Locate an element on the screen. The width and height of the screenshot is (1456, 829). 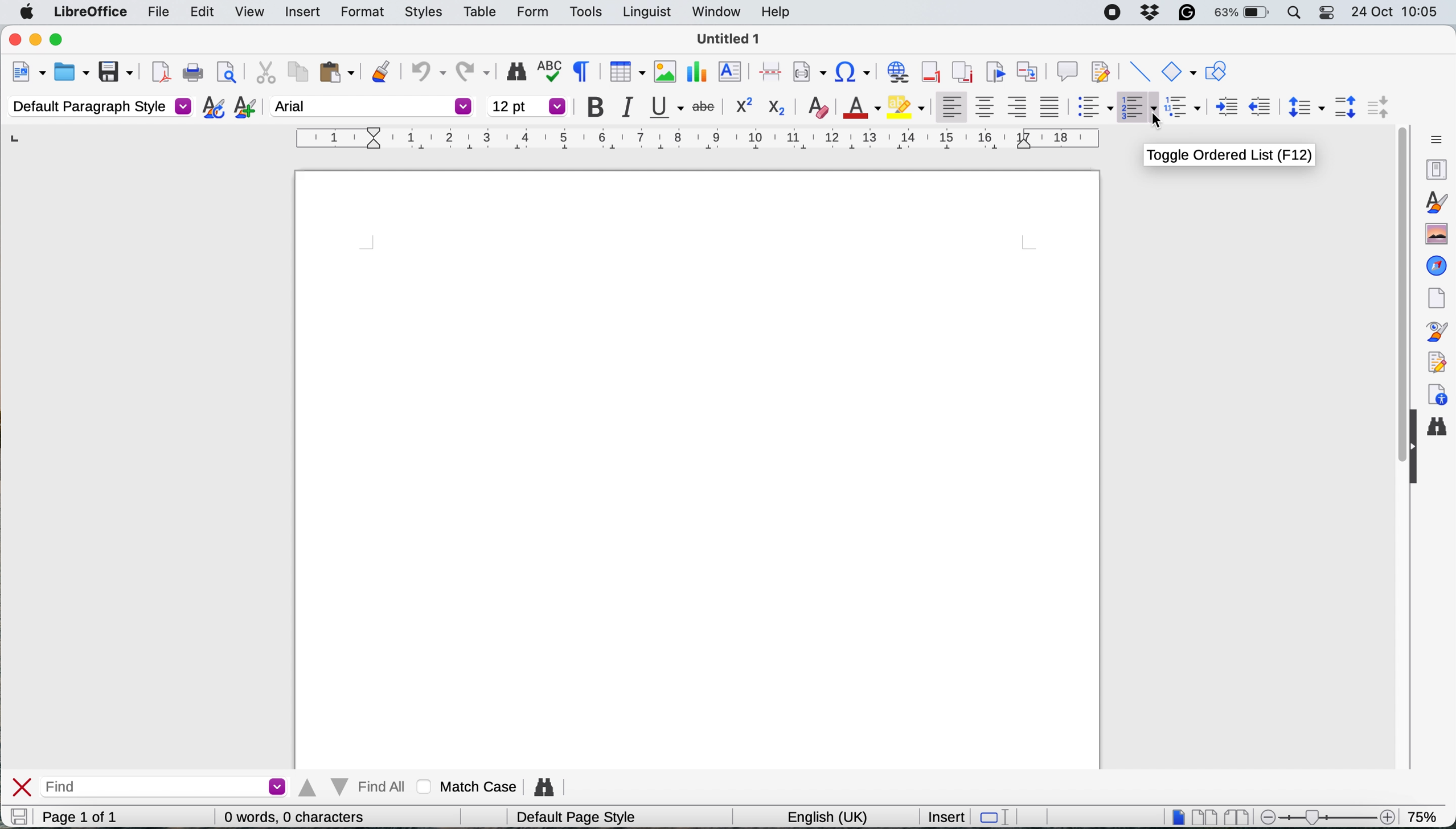
strike through is located at coordinates (706, 104).